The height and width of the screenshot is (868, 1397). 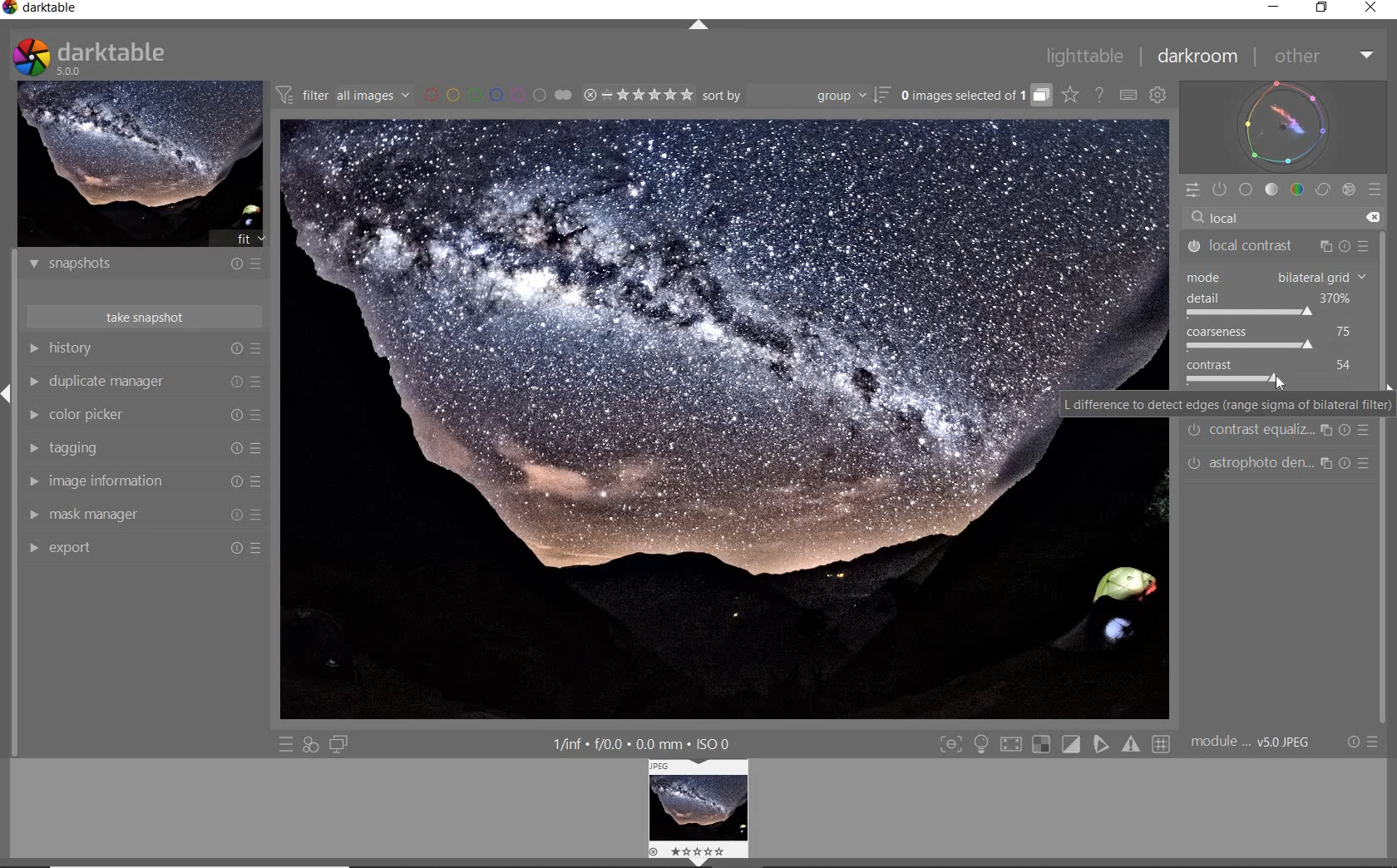 I want to click on WAVEFORM, so click(x=1284, y=126).